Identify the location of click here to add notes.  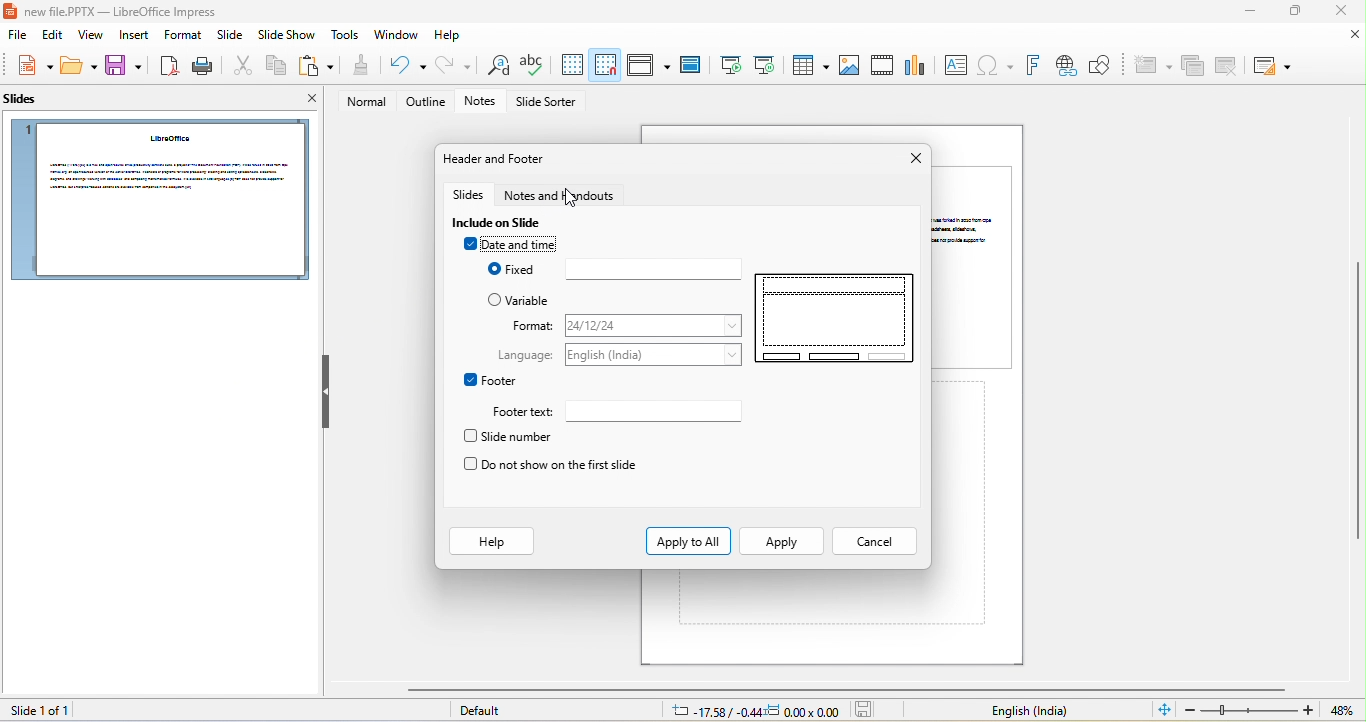
(805, 597).